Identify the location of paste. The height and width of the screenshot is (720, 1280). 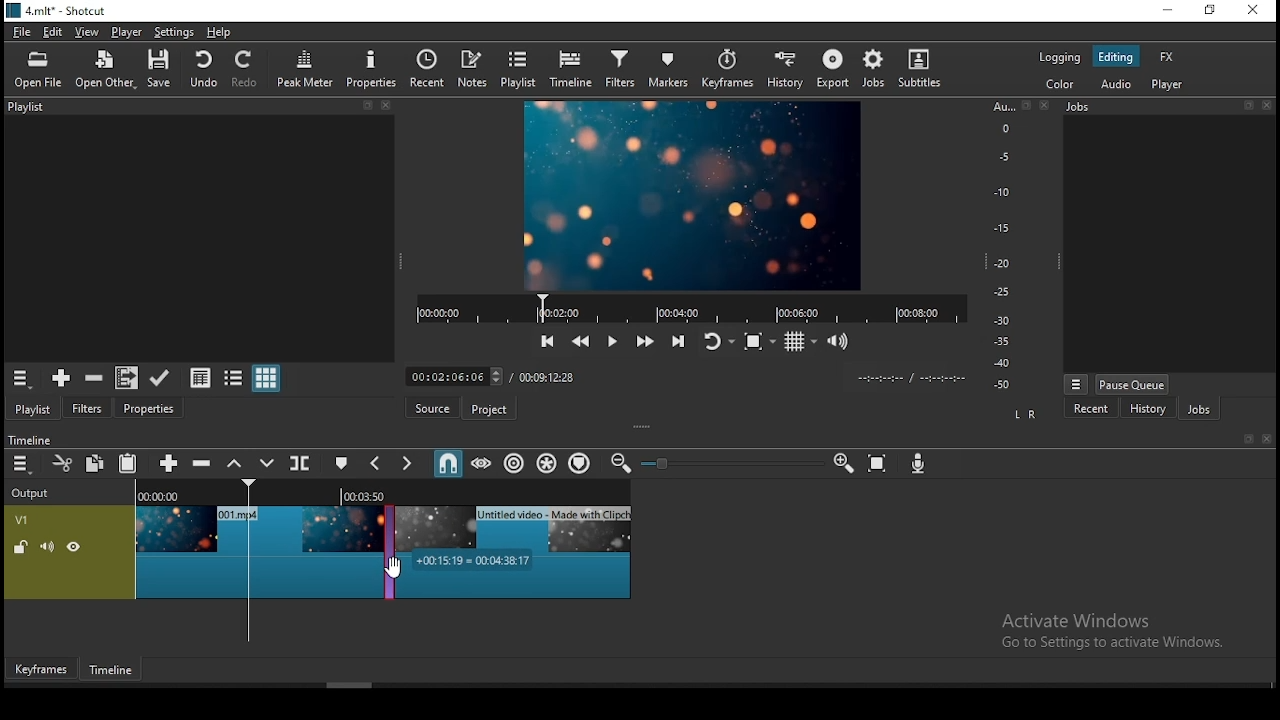
(127, 463).